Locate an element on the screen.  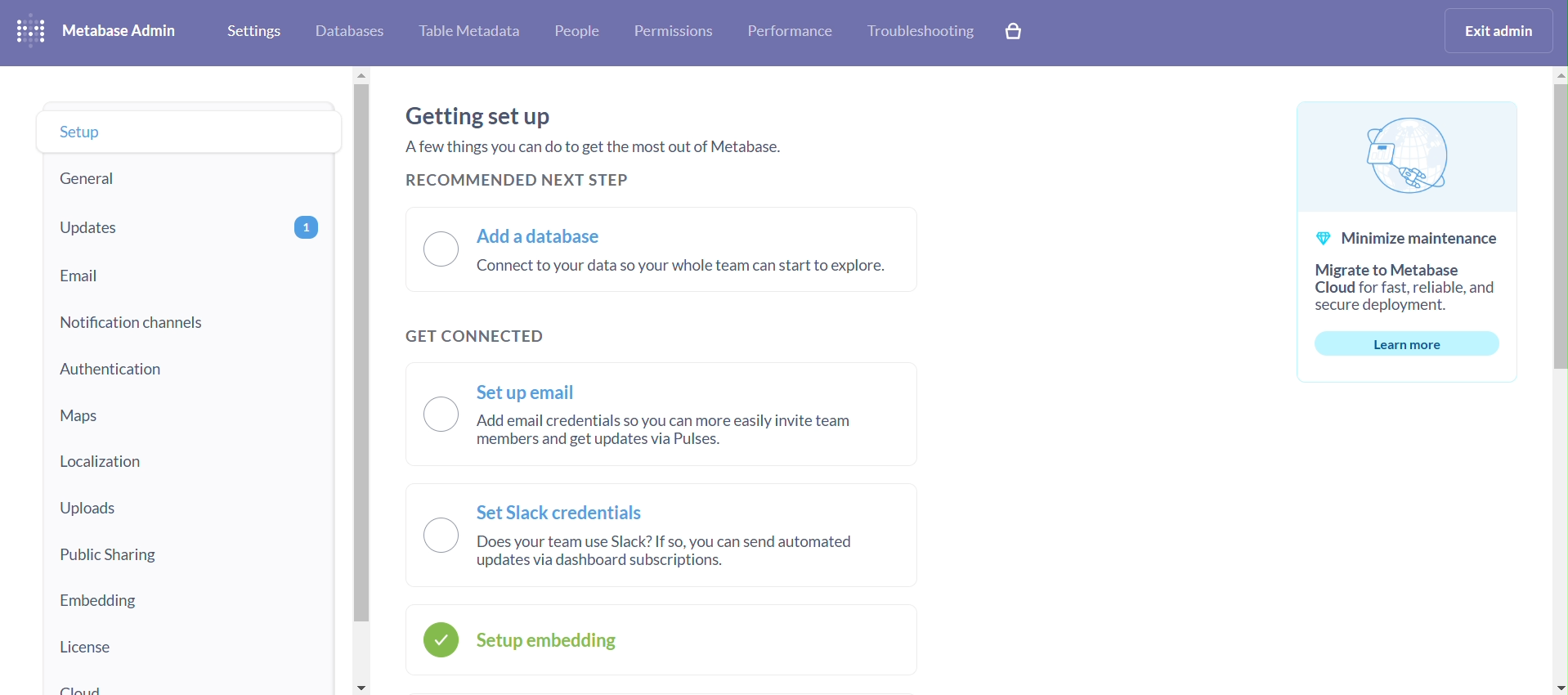
a few things you can do to get the most out of metabase is located at coordinates (597, 150).